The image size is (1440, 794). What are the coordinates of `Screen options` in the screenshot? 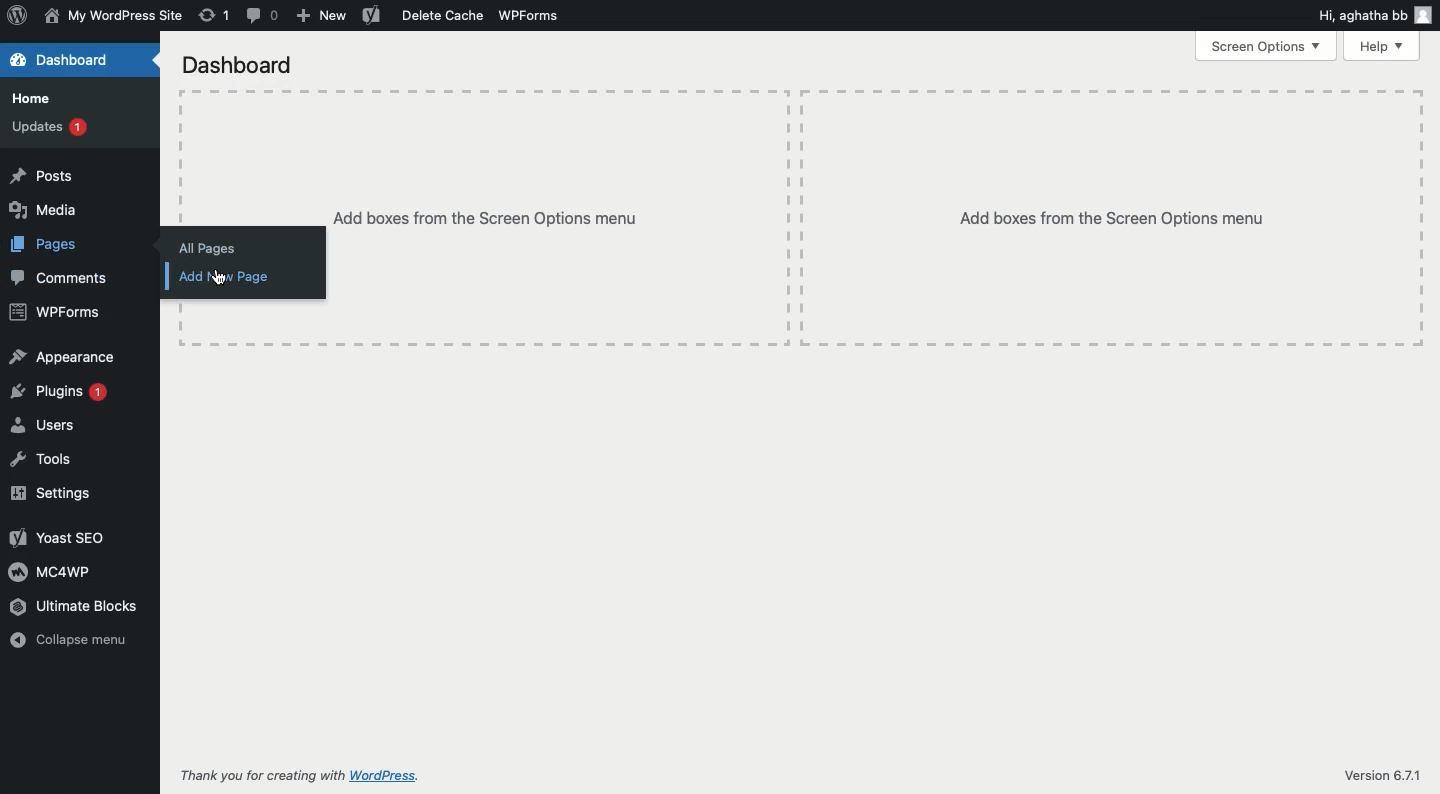 It's located at (1268, 46).